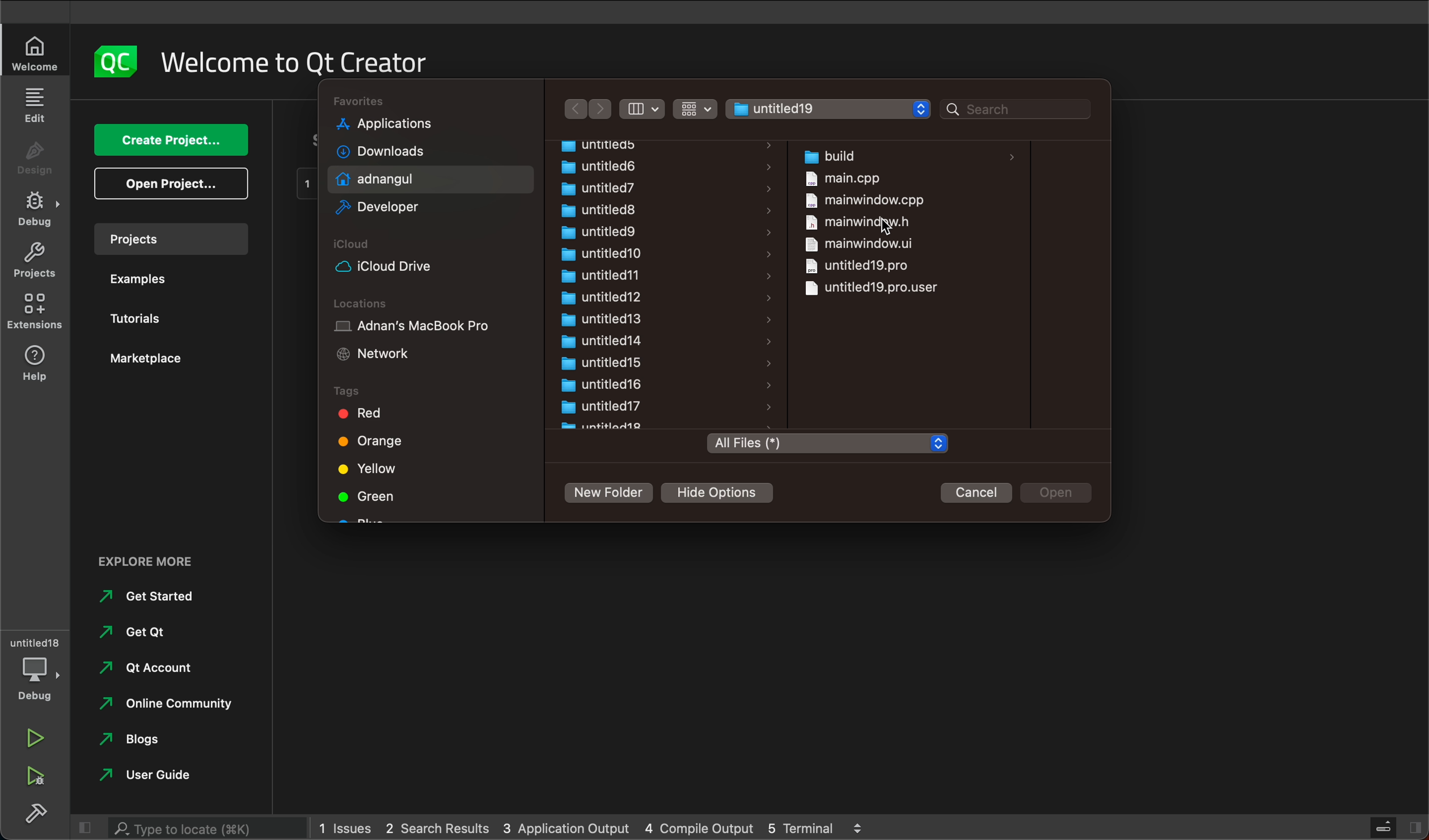 Image resolution: width=1429 pixels, height=840 pixels. What do you see at coordinates (607, 211) in the screenshot?
I see `untitled8` at bounding box center [607, 211].